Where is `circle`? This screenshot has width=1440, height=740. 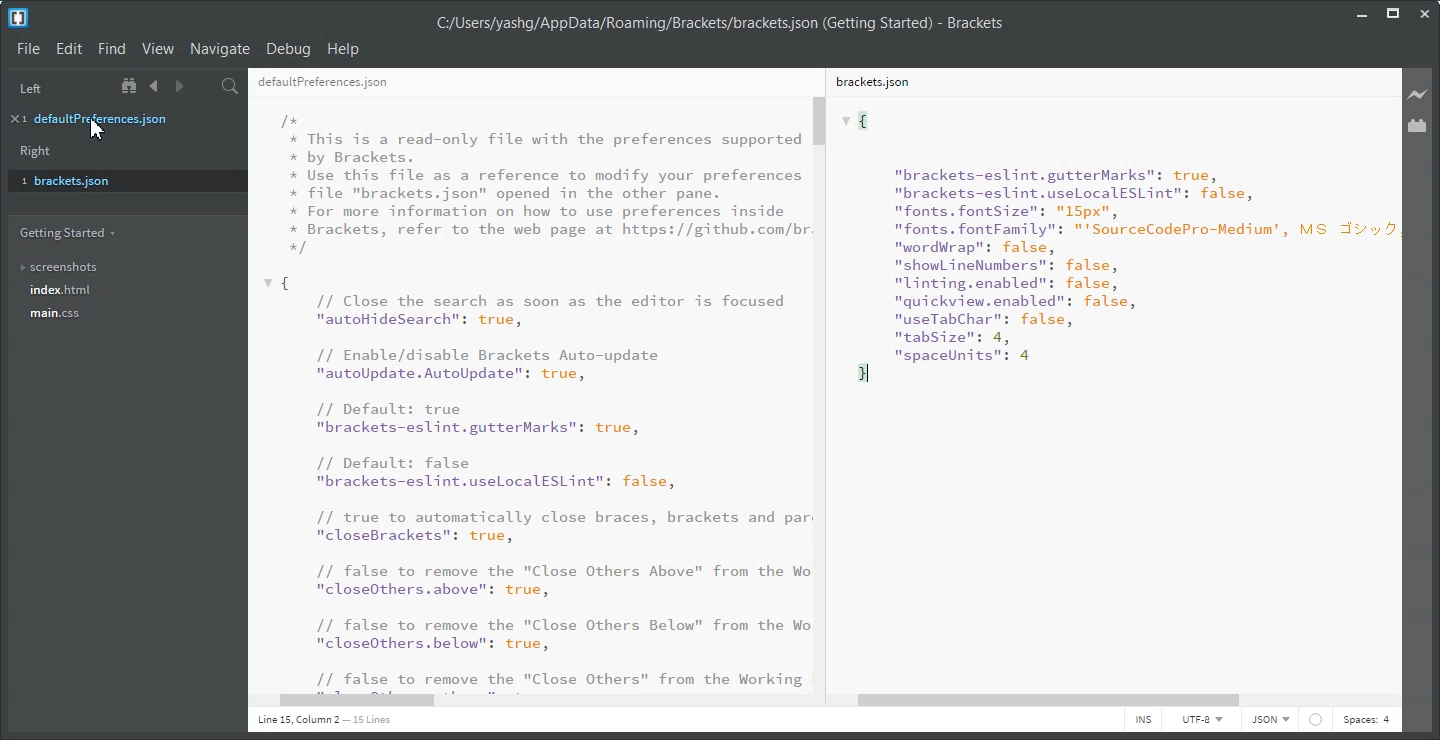
circle is located at coordinates (1315, 722).